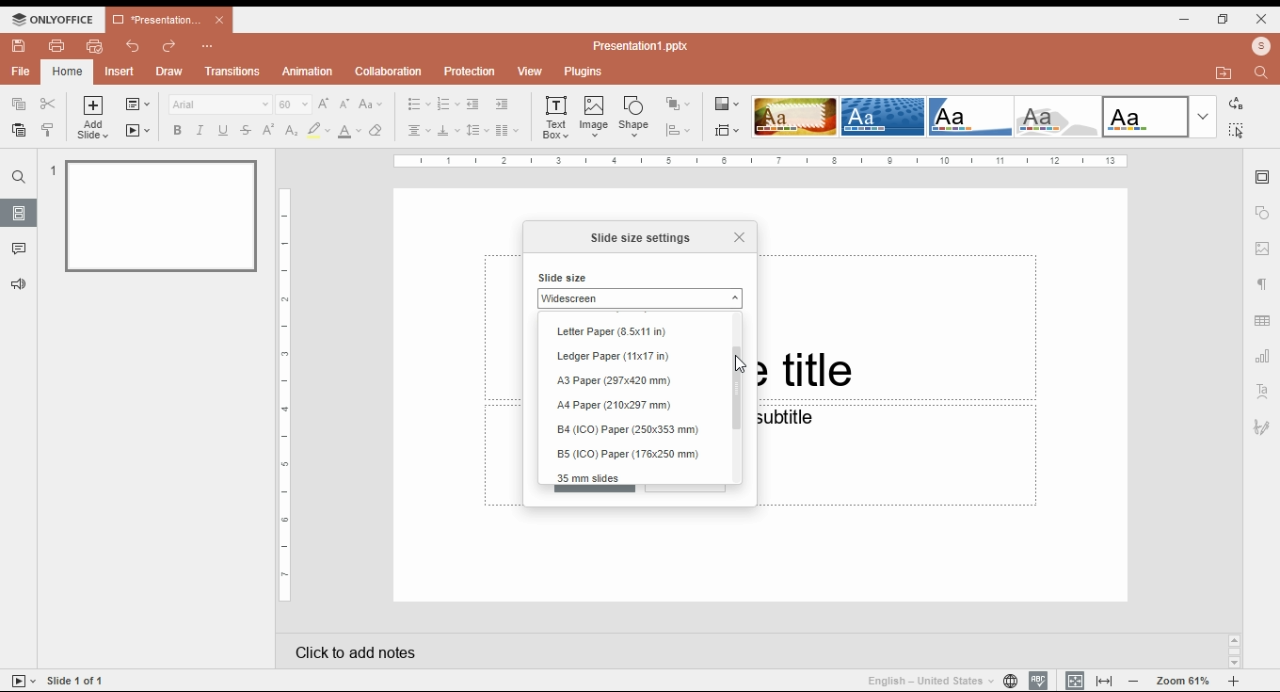  Describe the element at coordinates (176, 130) in the screenshot. I see `bold` at that location.